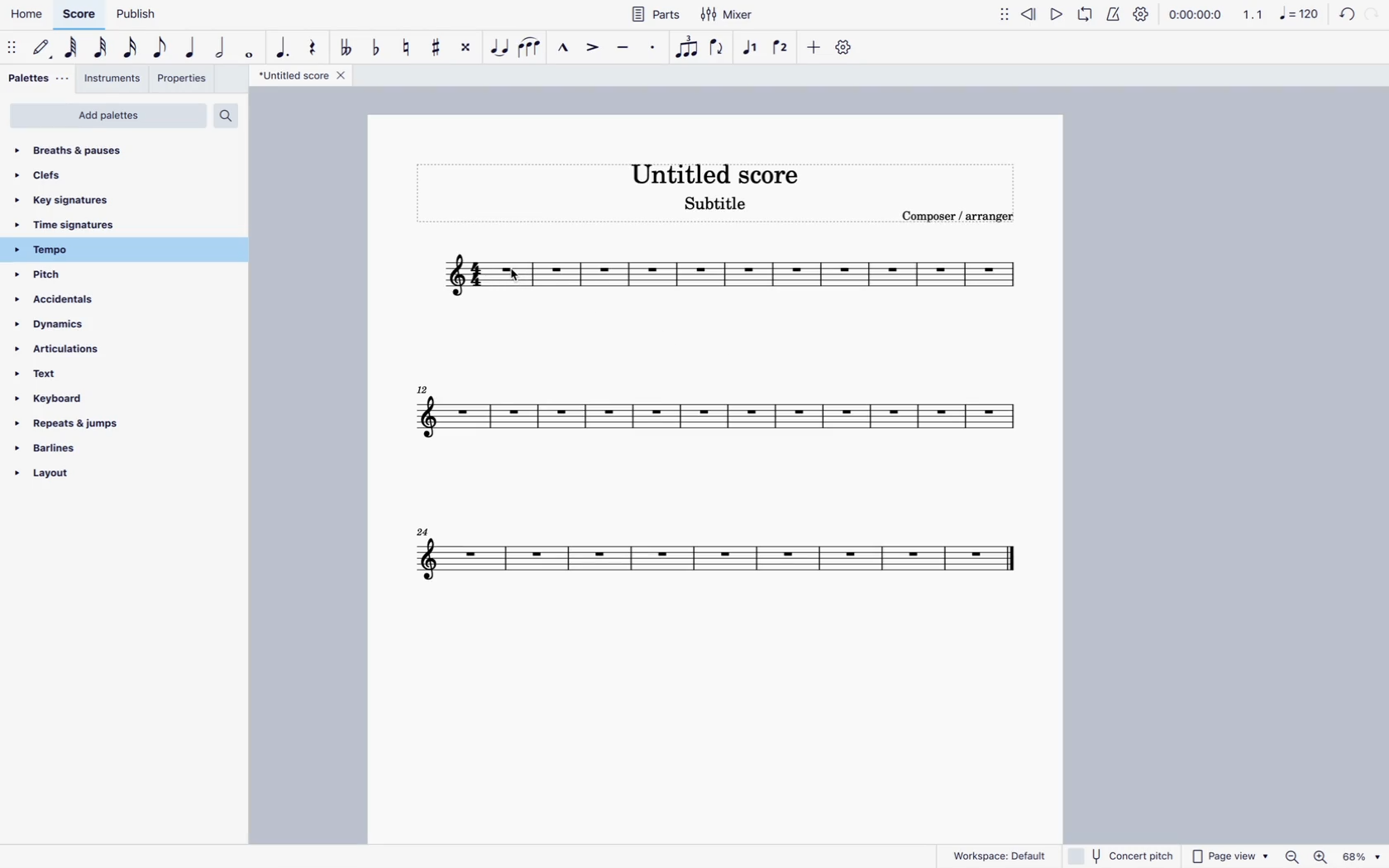  Describe the element at coordinates (116, 78) in the screenshot. I see `instruments` at that location.